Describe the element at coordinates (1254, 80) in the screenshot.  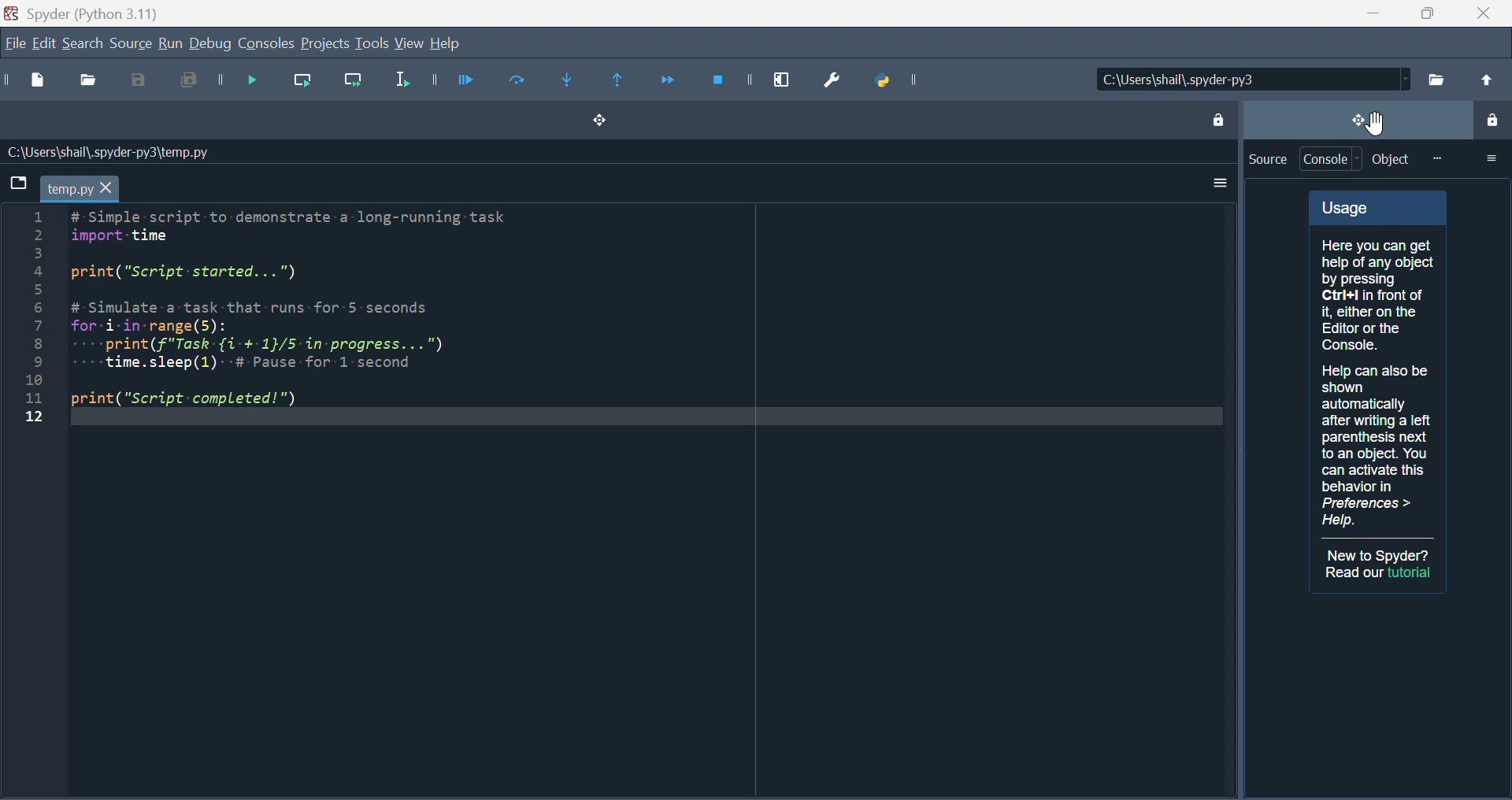
I see `C:\Users\shail\.spyder-py3` at that location.